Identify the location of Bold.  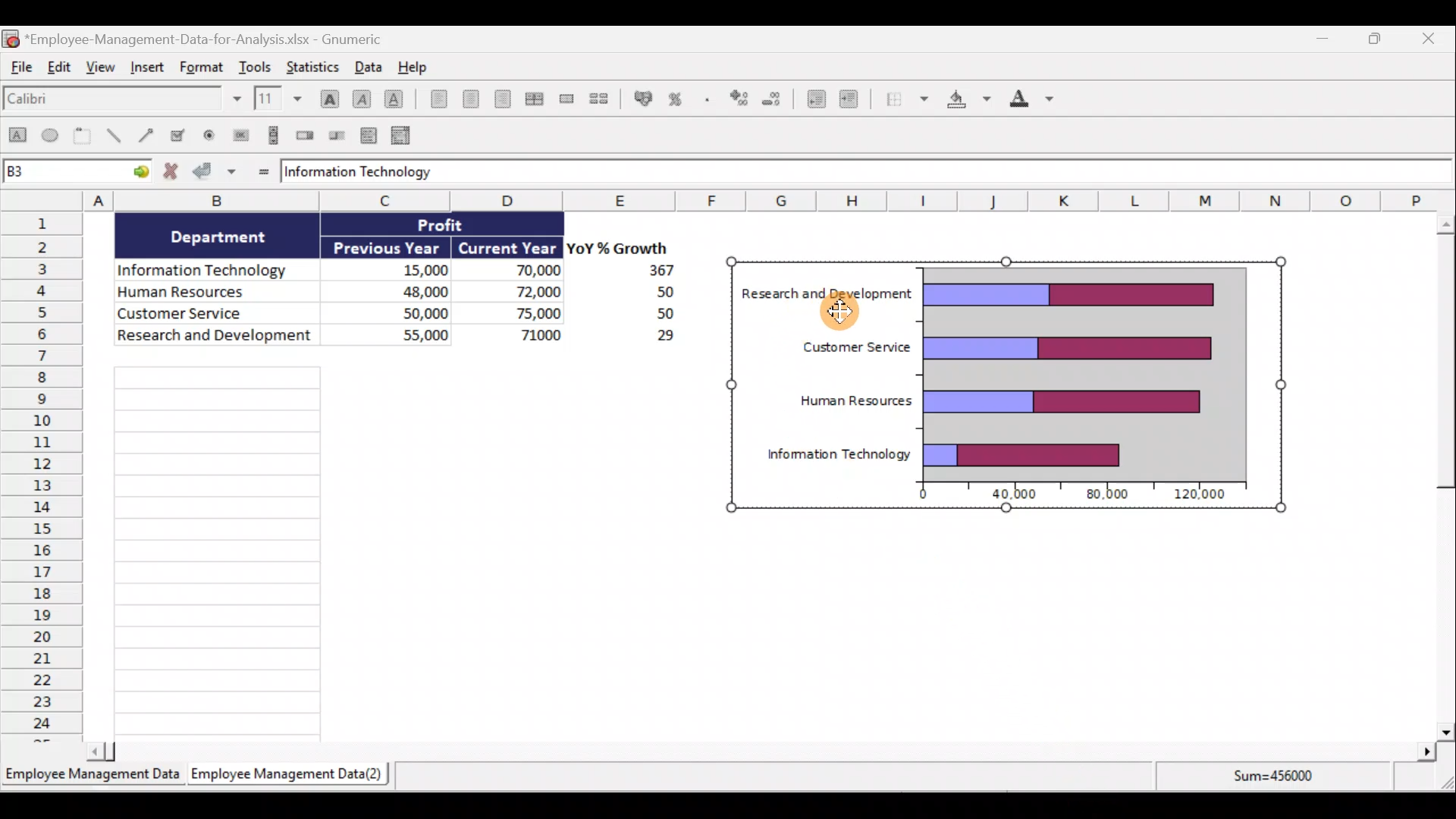
(328, 98).